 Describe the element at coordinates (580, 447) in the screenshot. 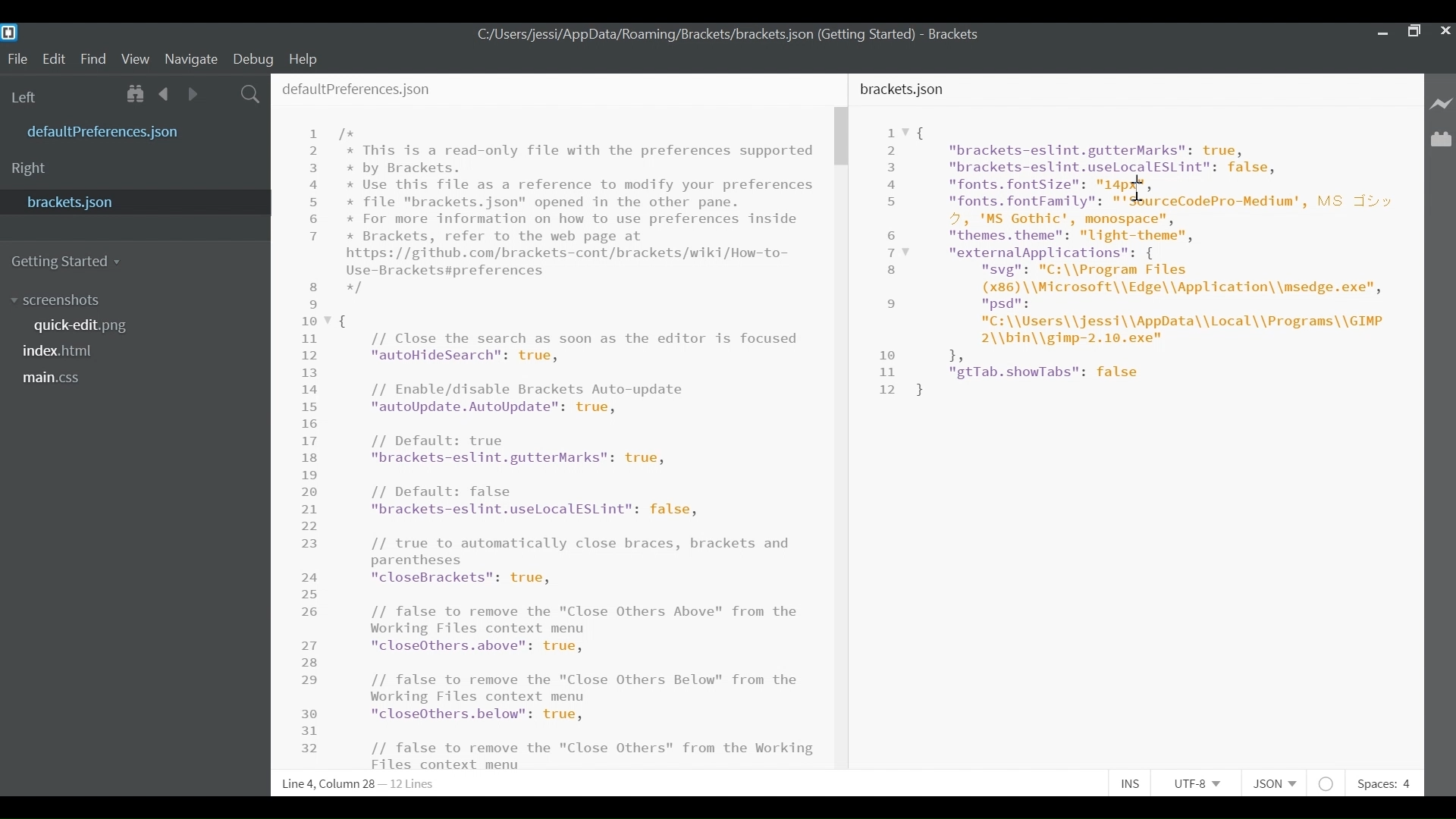

I see `This is a read-only file with the preferences supported
by Brackets.
Use this file as a reference to modify your preferences
file "brackets.json" opened in the other pane.
For more information on how to use preferences inside
Brackets, refer to the web page at
tps: //github.com/brackets-cont/brackets/wiki/How-to-
.e-Brackets#preferences
// Close the search as soon as the editor is focused
"autoHideSearch": true,
// Enable/disable Brackets Auto-update
"autoUpdate.AutoUpdate": true,
// Default: true
"brackets-eslint.gutterMarks": true,
// Default: false
"brackets-eslint.uselLocalESLint": false,
// true to automatically close braces, brackets and
parentheses
"closeBrackets": true,
// false to remove the "Close Others Above" from the
Working Files context menu
"closeOthers.above": true,
// false to remove the "Close Others Below" from the
Working Files context menu
"closeOthers.below": true,
// false to remove the "Close Others" from the Working
Files context menu` at that location.